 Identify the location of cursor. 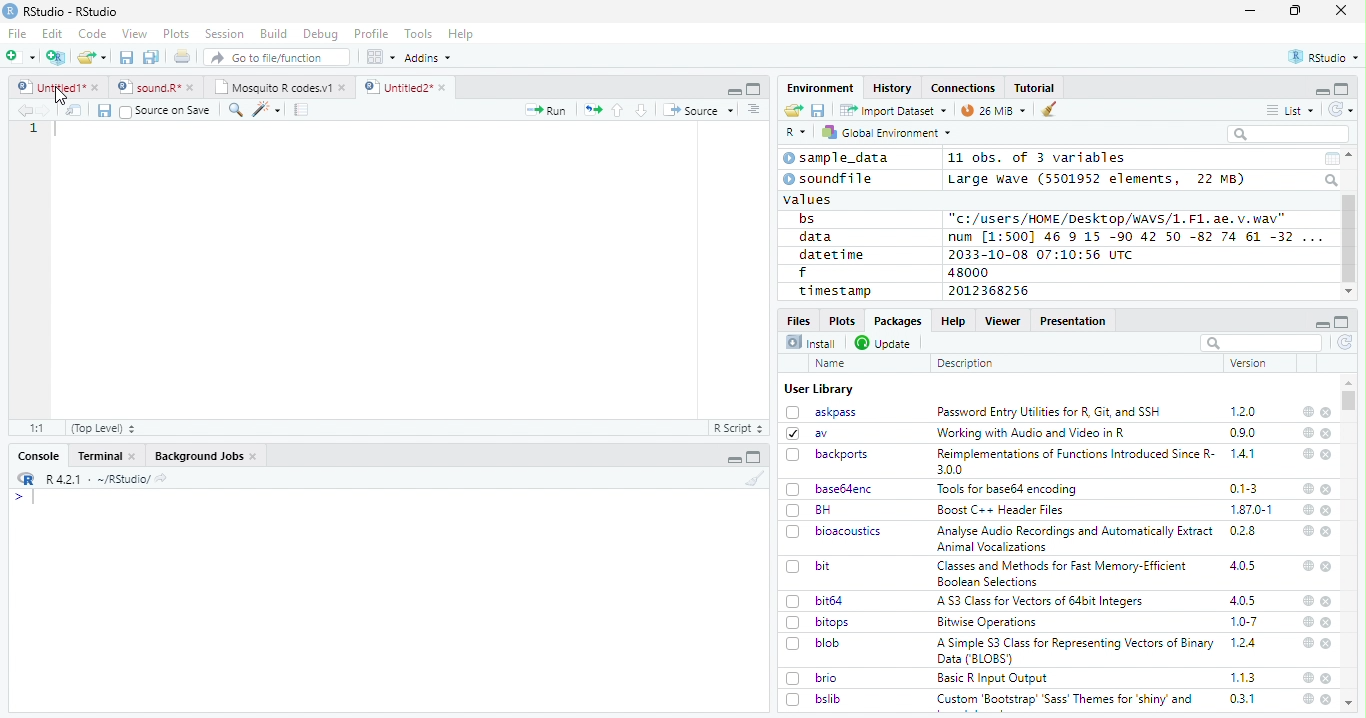
(62, 97).